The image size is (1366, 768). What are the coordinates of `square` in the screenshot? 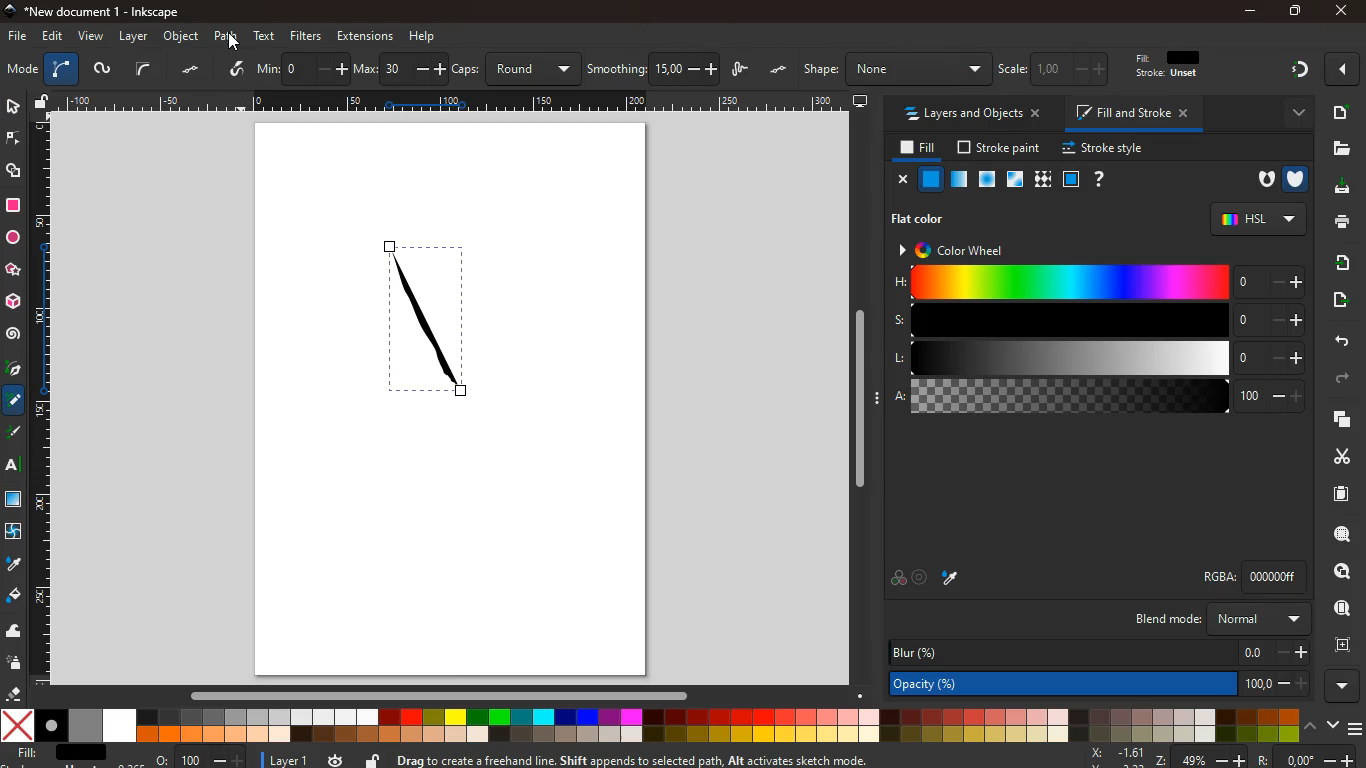 It's located at (1071, 181).